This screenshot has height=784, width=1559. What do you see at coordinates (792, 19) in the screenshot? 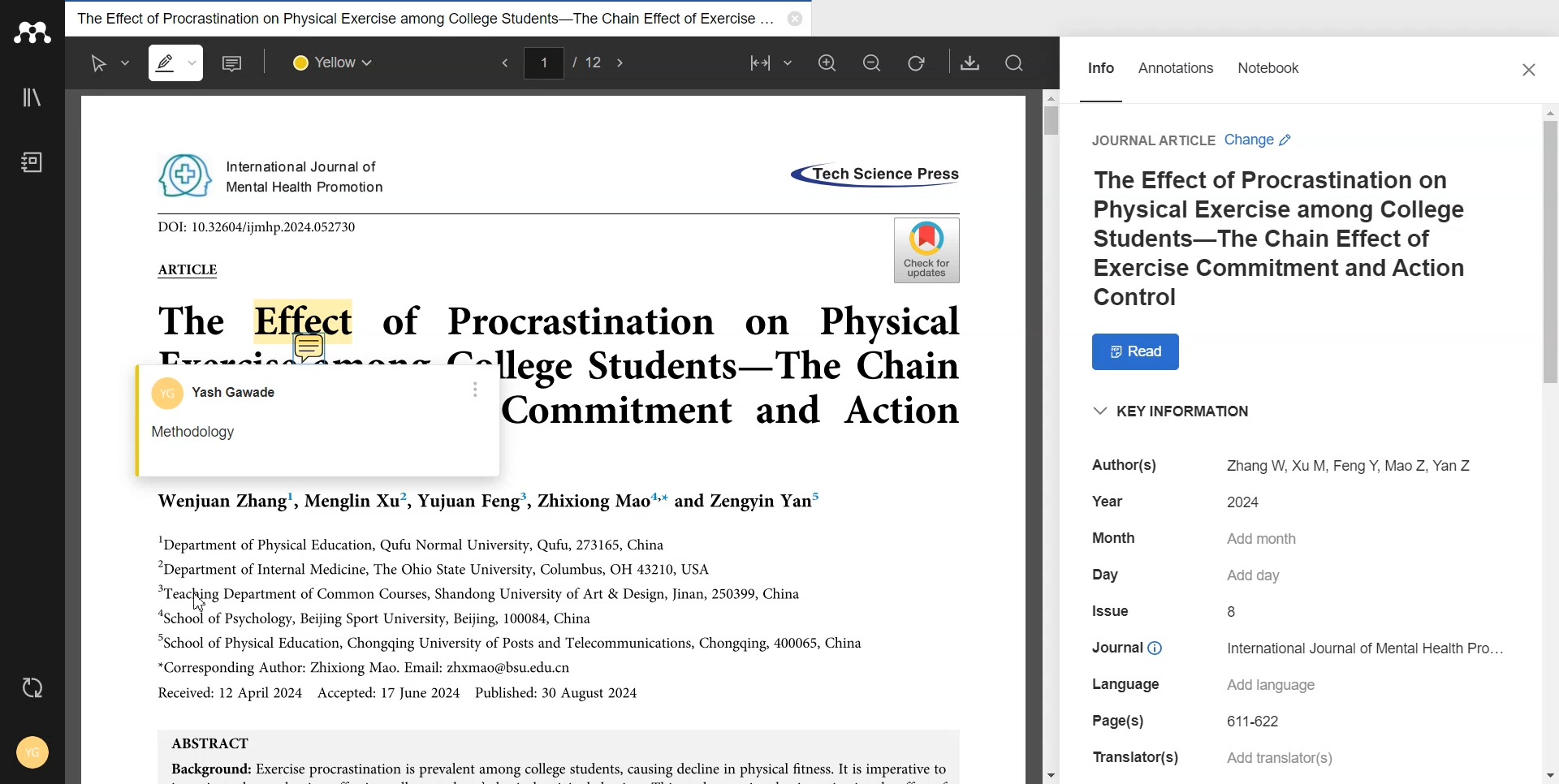
I see `Close` at bounding box center [792, 19].